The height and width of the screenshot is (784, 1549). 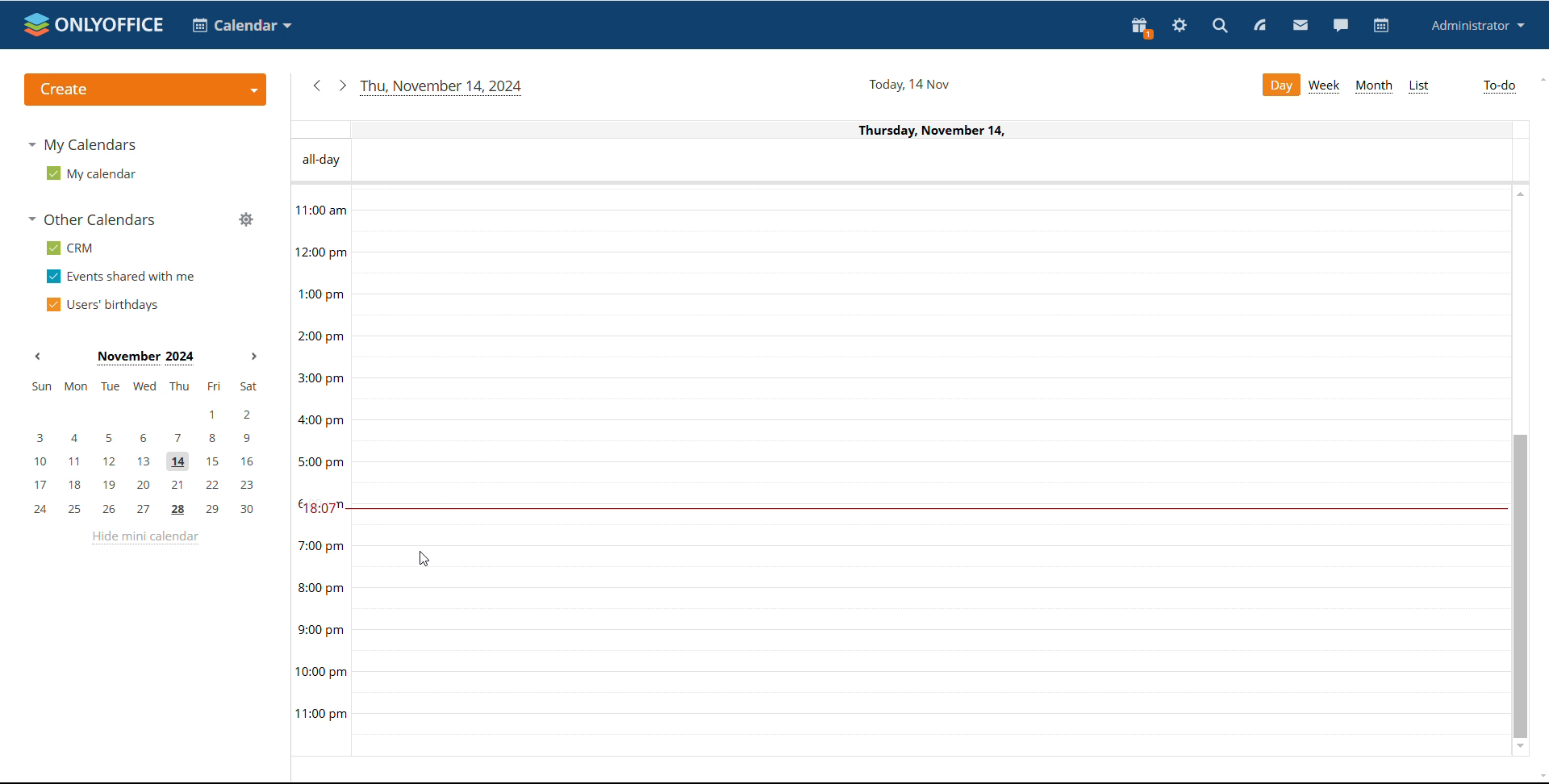 I want to click on current date, so click(x=908, y=85).